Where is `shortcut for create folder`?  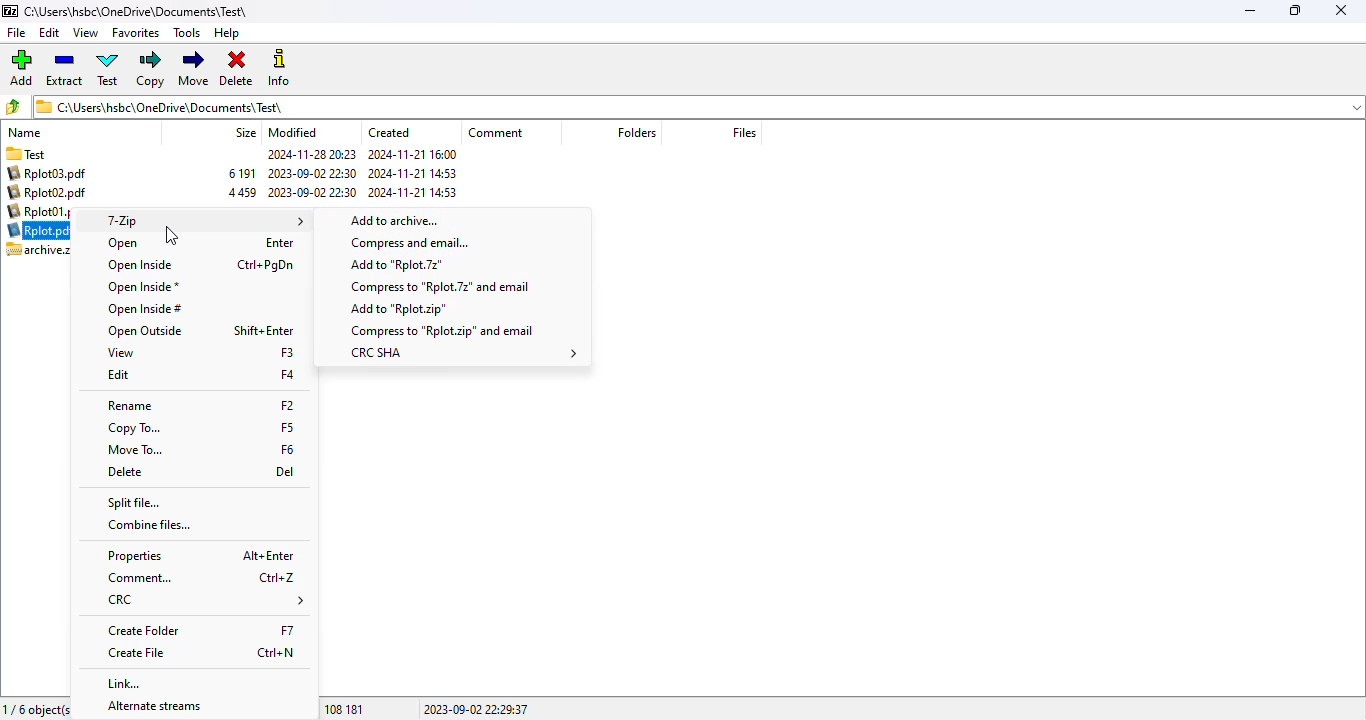 shortcut for create folder is located at coordinates (288, 631).